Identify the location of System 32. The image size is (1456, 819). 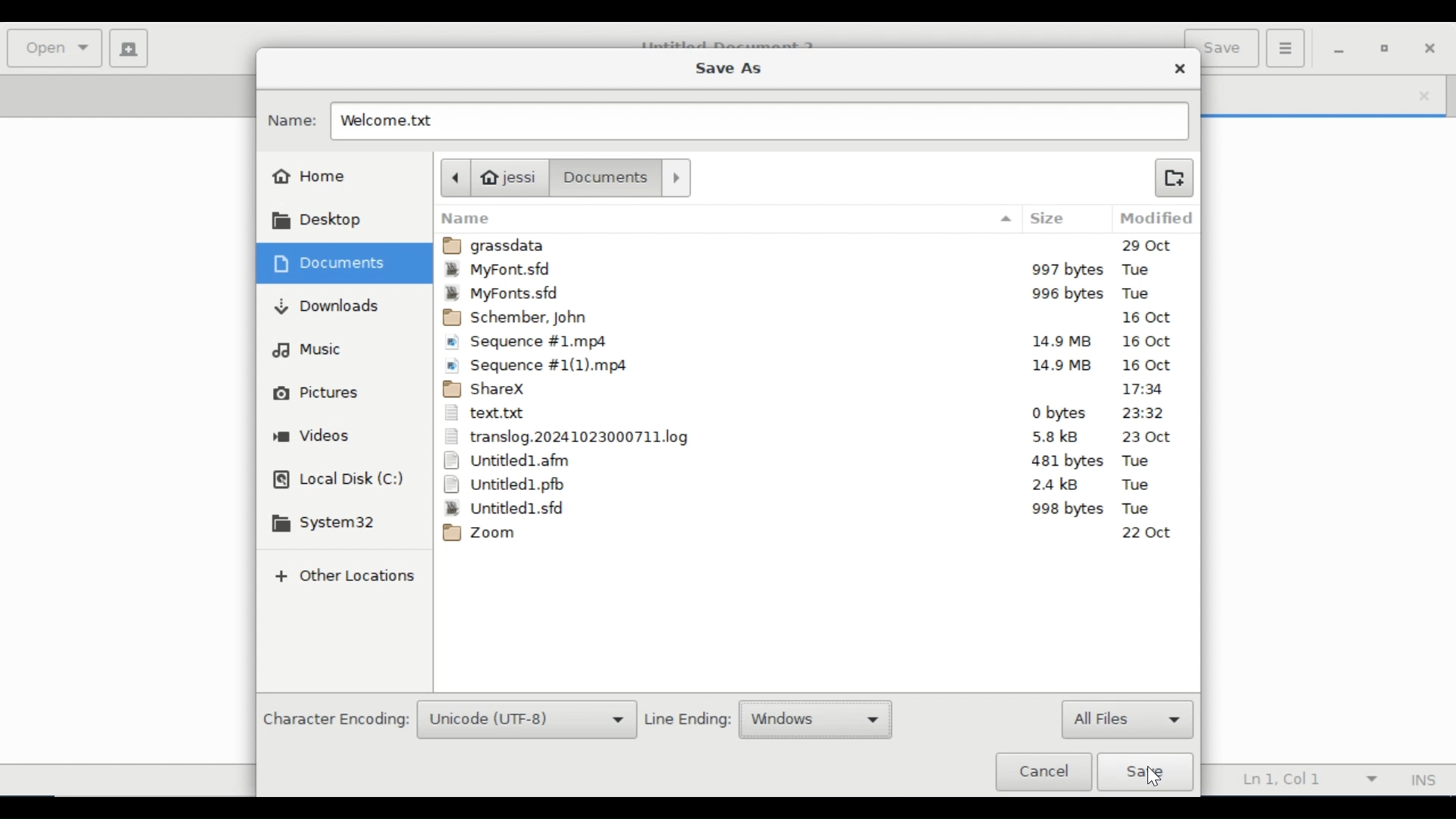
(322, 523).